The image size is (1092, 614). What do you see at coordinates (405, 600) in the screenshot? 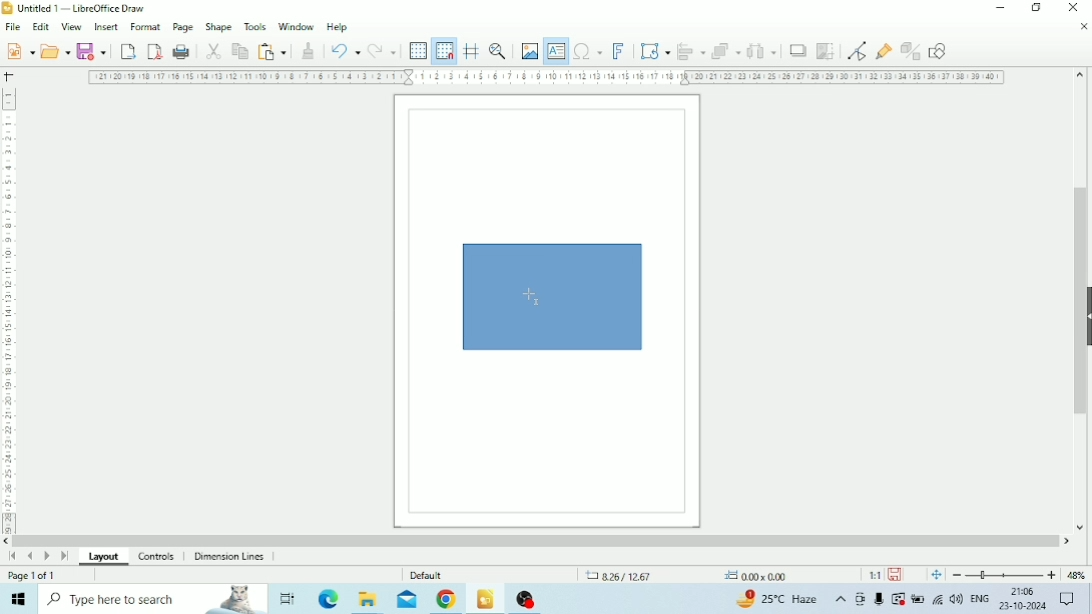
I see `Mail` at bounding box center [405, 600].